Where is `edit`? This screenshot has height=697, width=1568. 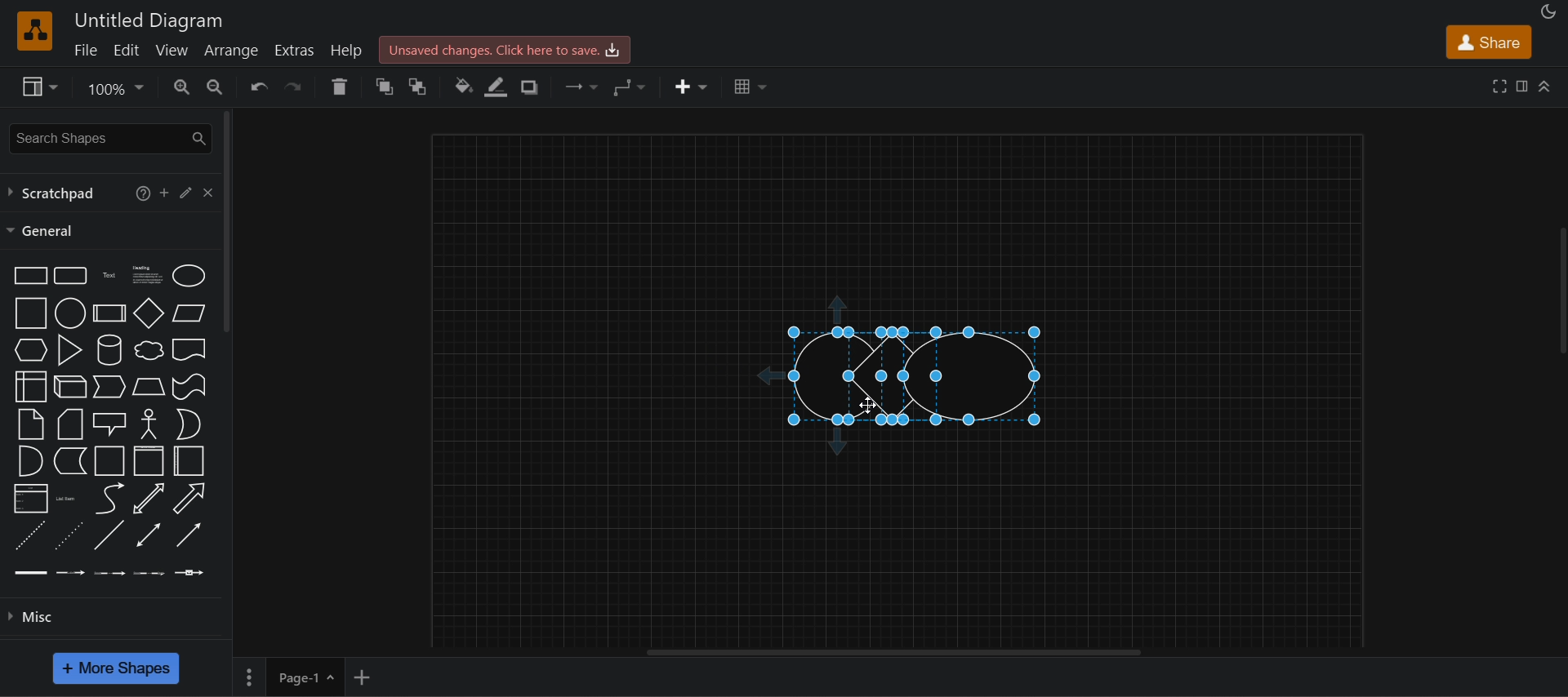 edit is located at coordinates (126, 49).